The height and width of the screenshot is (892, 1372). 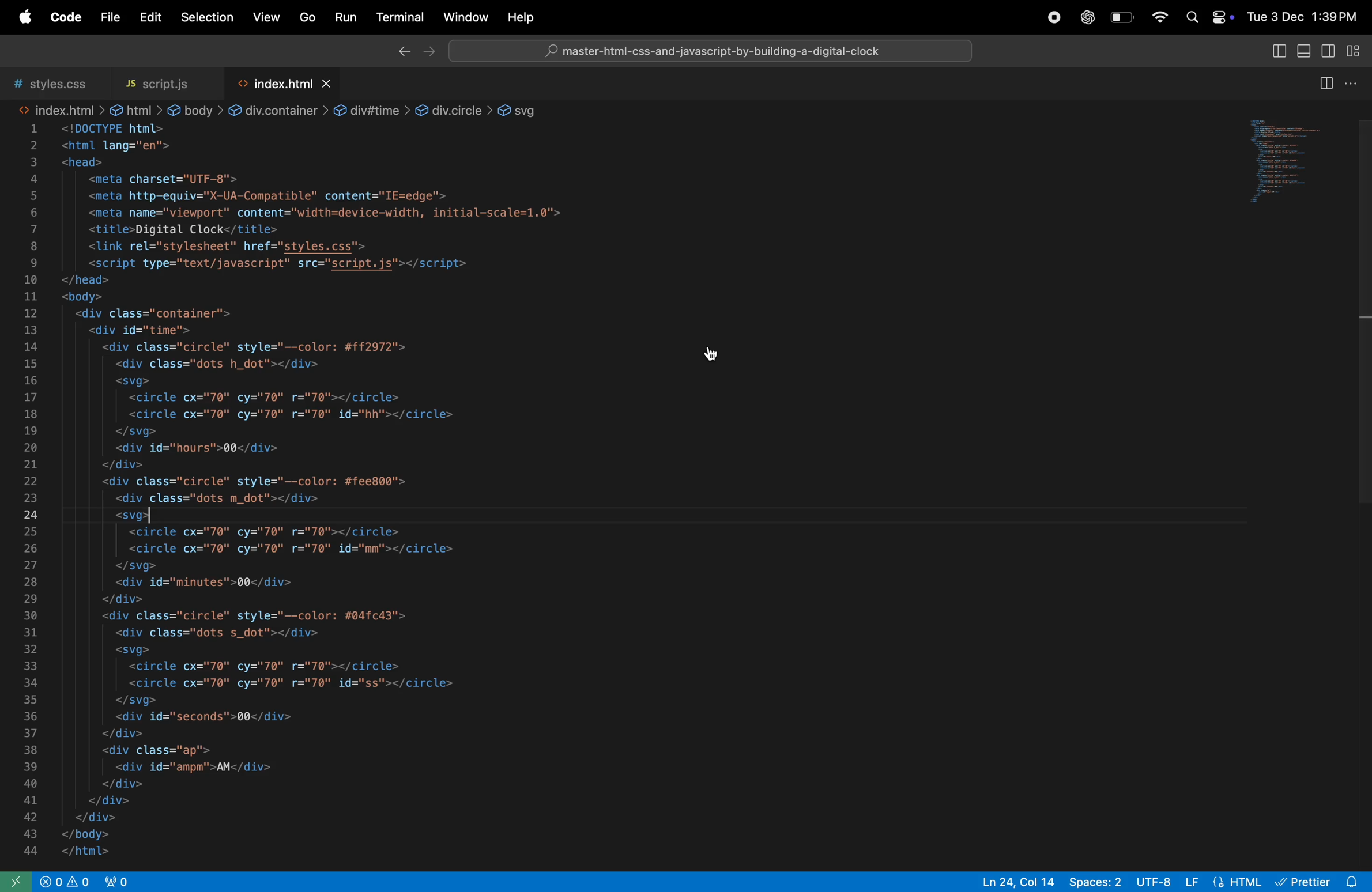 I want to click on go, so click(x=307, y=19).